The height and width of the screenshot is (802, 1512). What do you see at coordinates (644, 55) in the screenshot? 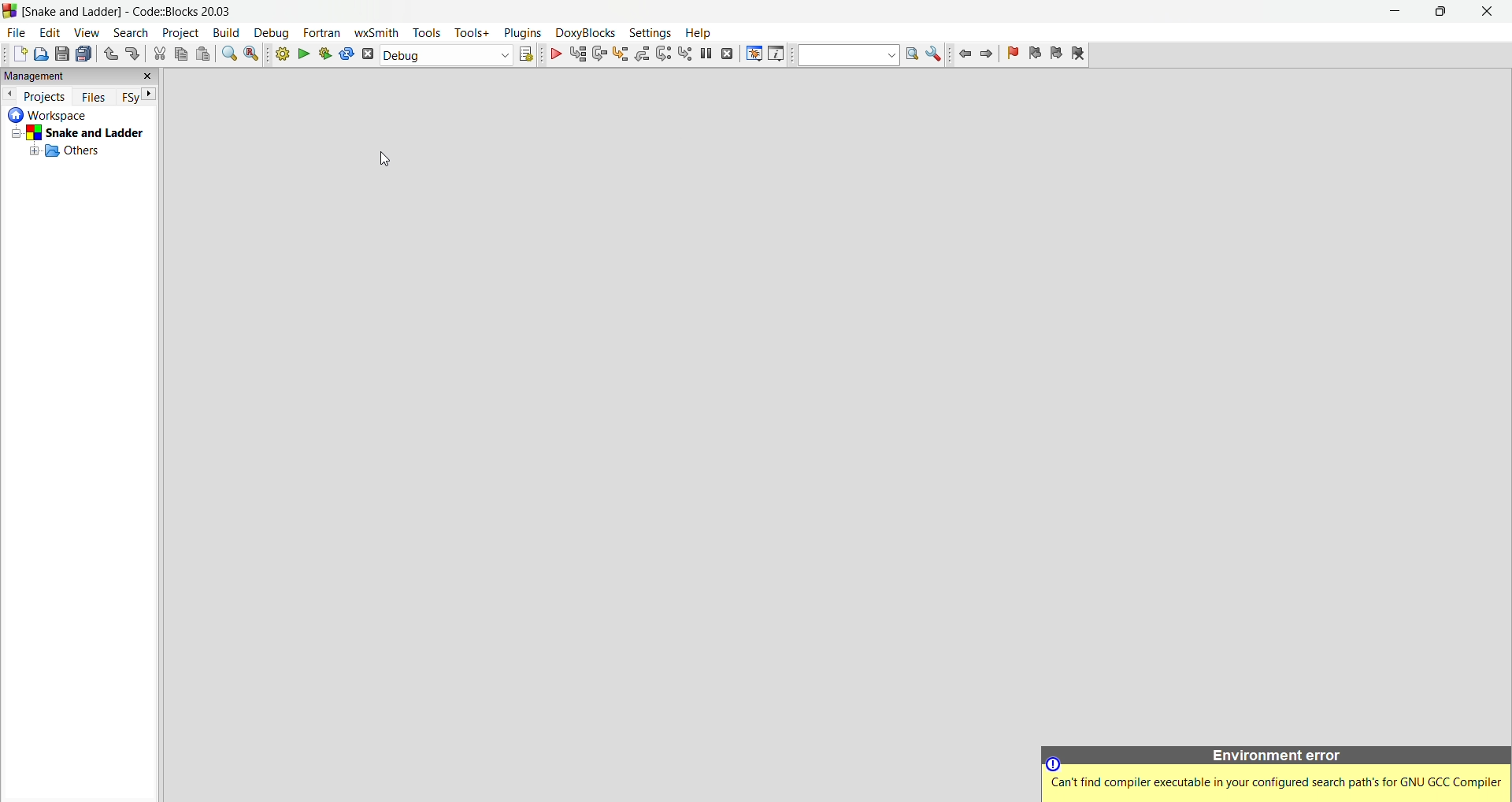
I see `step out` at bounding box center [644, 55].